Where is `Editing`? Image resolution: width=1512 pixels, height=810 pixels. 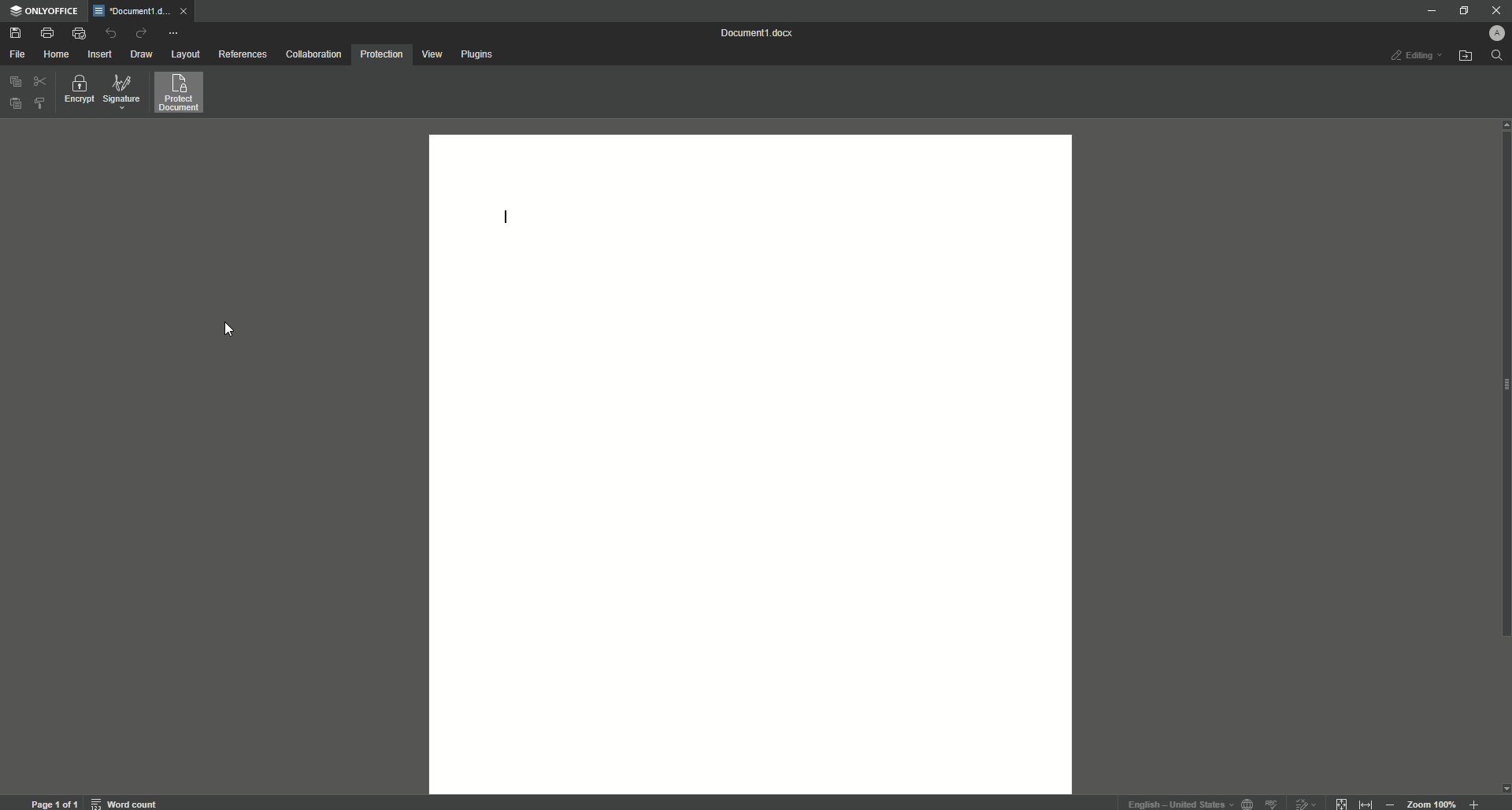
Editing is located at coordinates (1410, 56).